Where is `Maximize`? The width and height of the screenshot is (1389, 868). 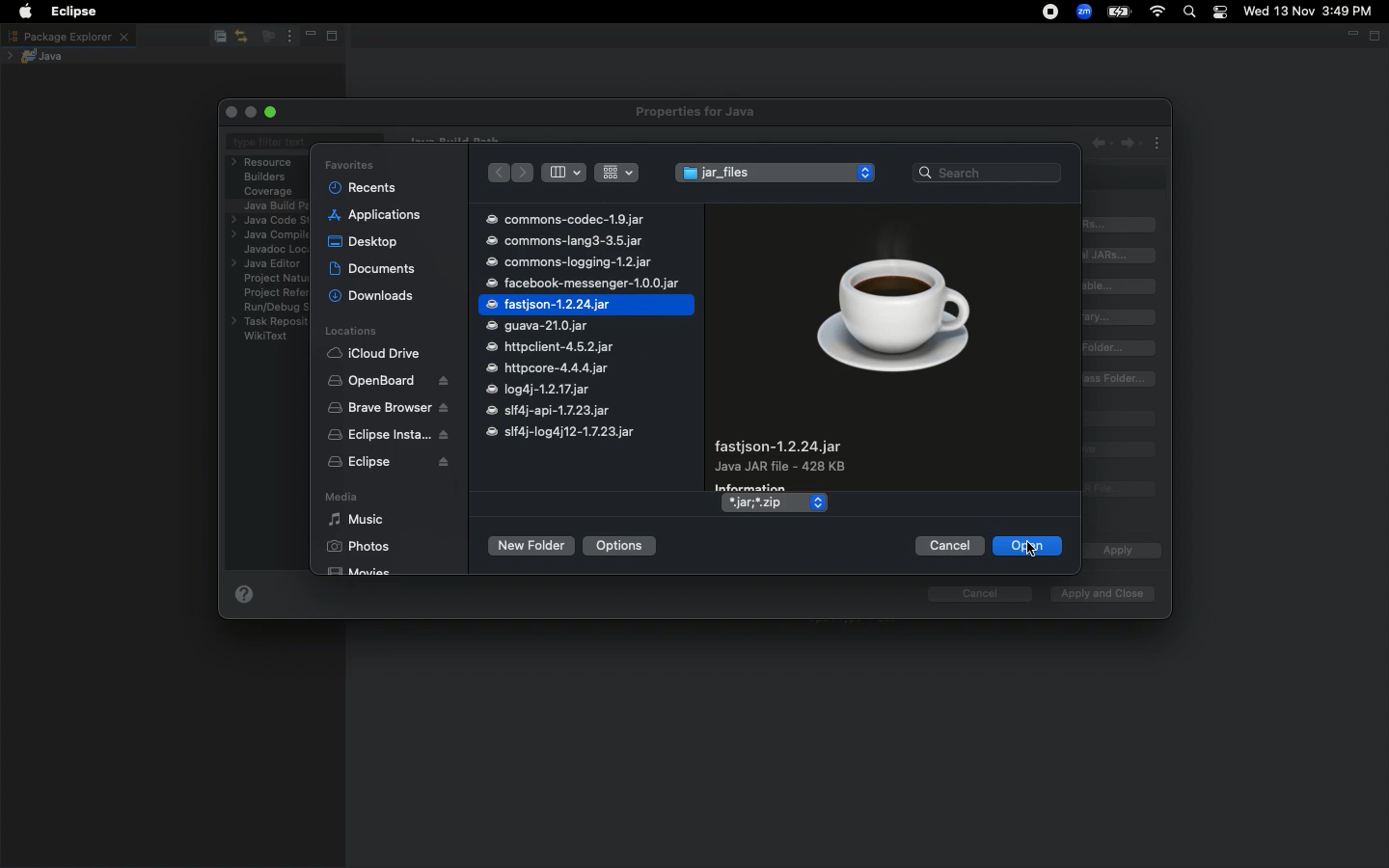 Maximize is located at coordinates (338, 38).